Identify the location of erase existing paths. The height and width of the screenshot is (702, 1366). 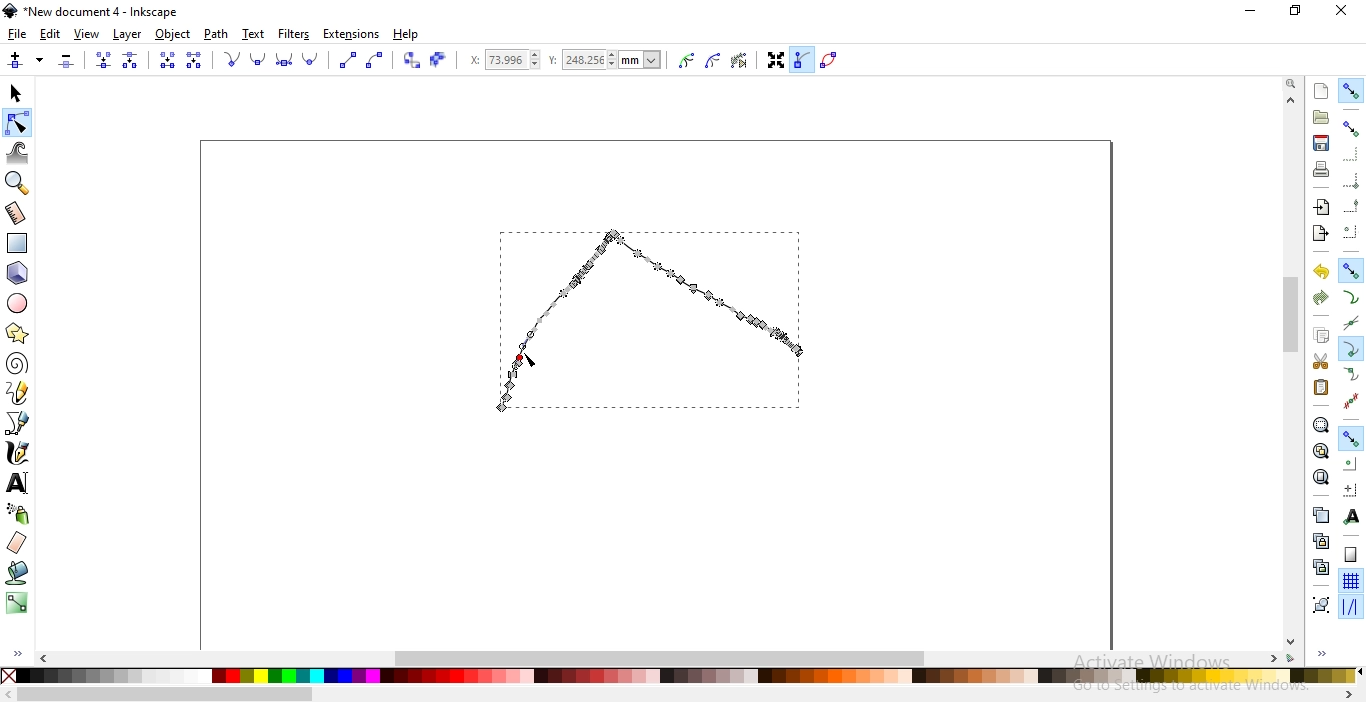
(17, 542).